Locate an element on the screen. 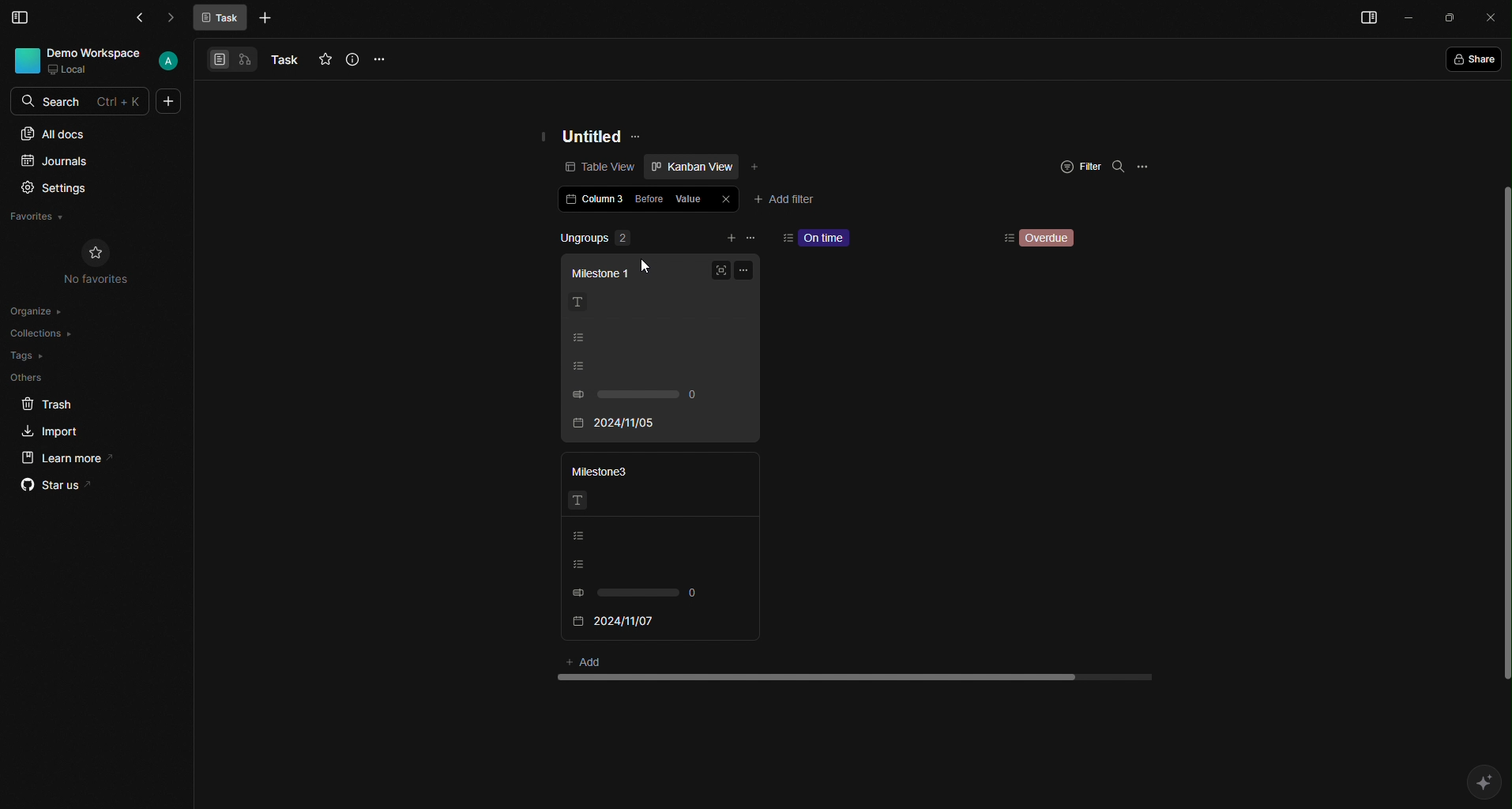 The height and width of the screenshot is (809, 1512). Listing is located at coordinates (616, 536).